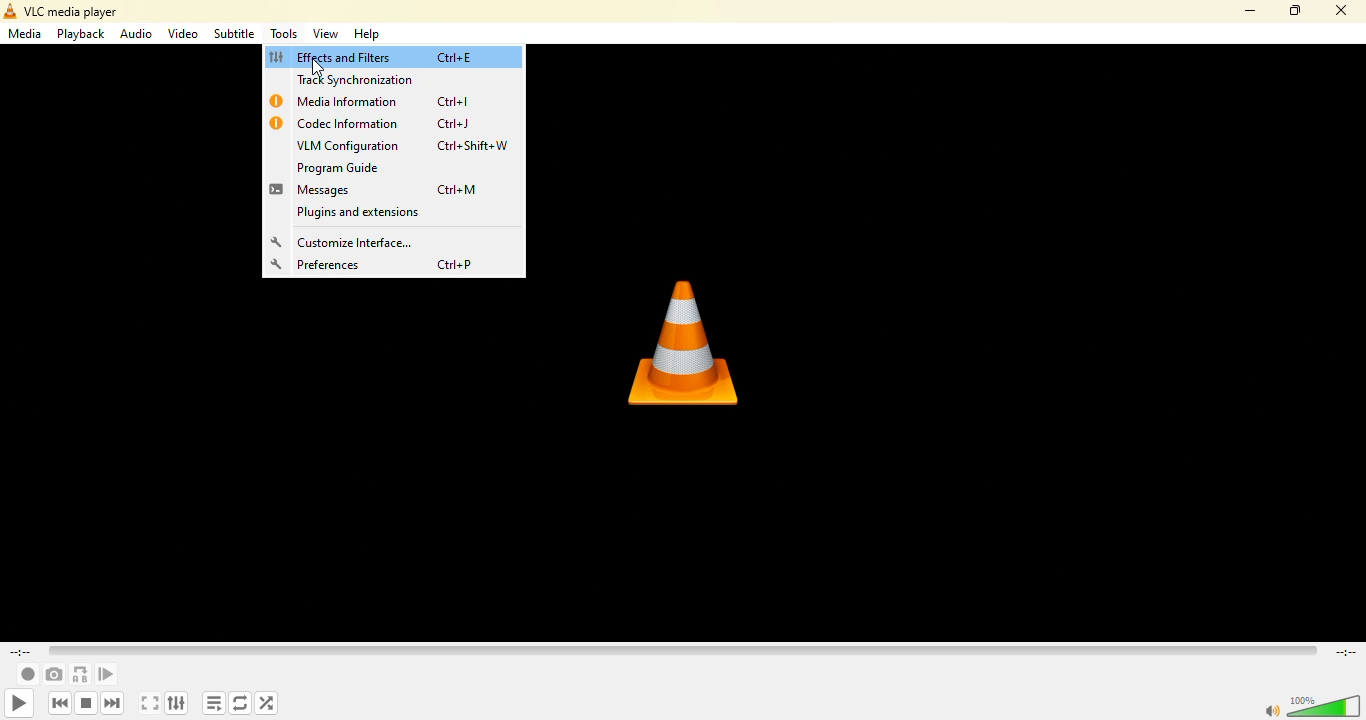 This screenshot has width=1366, height=720. What do you see at coordinates (1248, 11) in the screenshot?
I see `minimize` at bounding box center [1248, 11].